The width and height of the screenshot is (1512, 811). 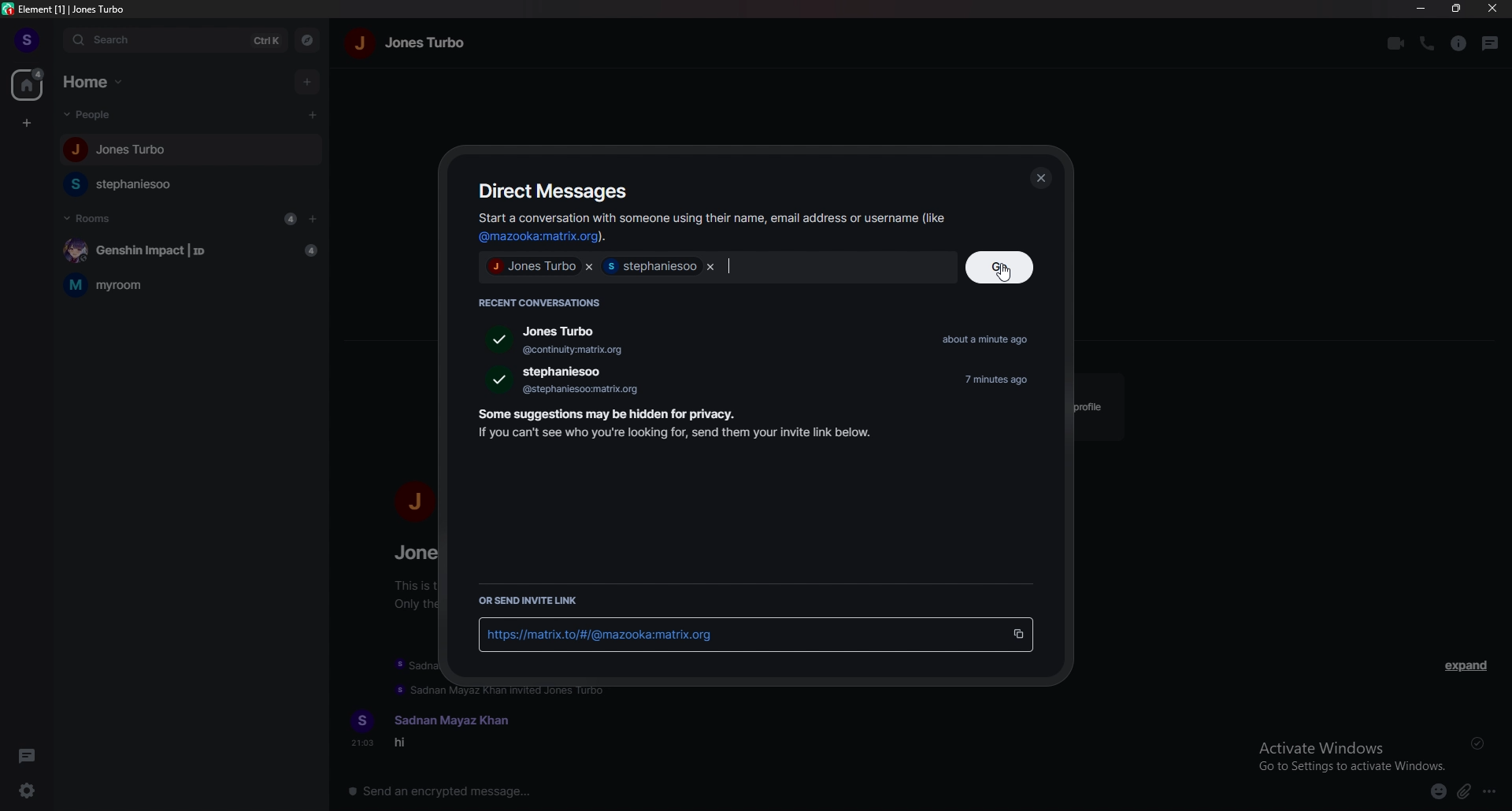 I want to click on add, so click(x=307, y=81).